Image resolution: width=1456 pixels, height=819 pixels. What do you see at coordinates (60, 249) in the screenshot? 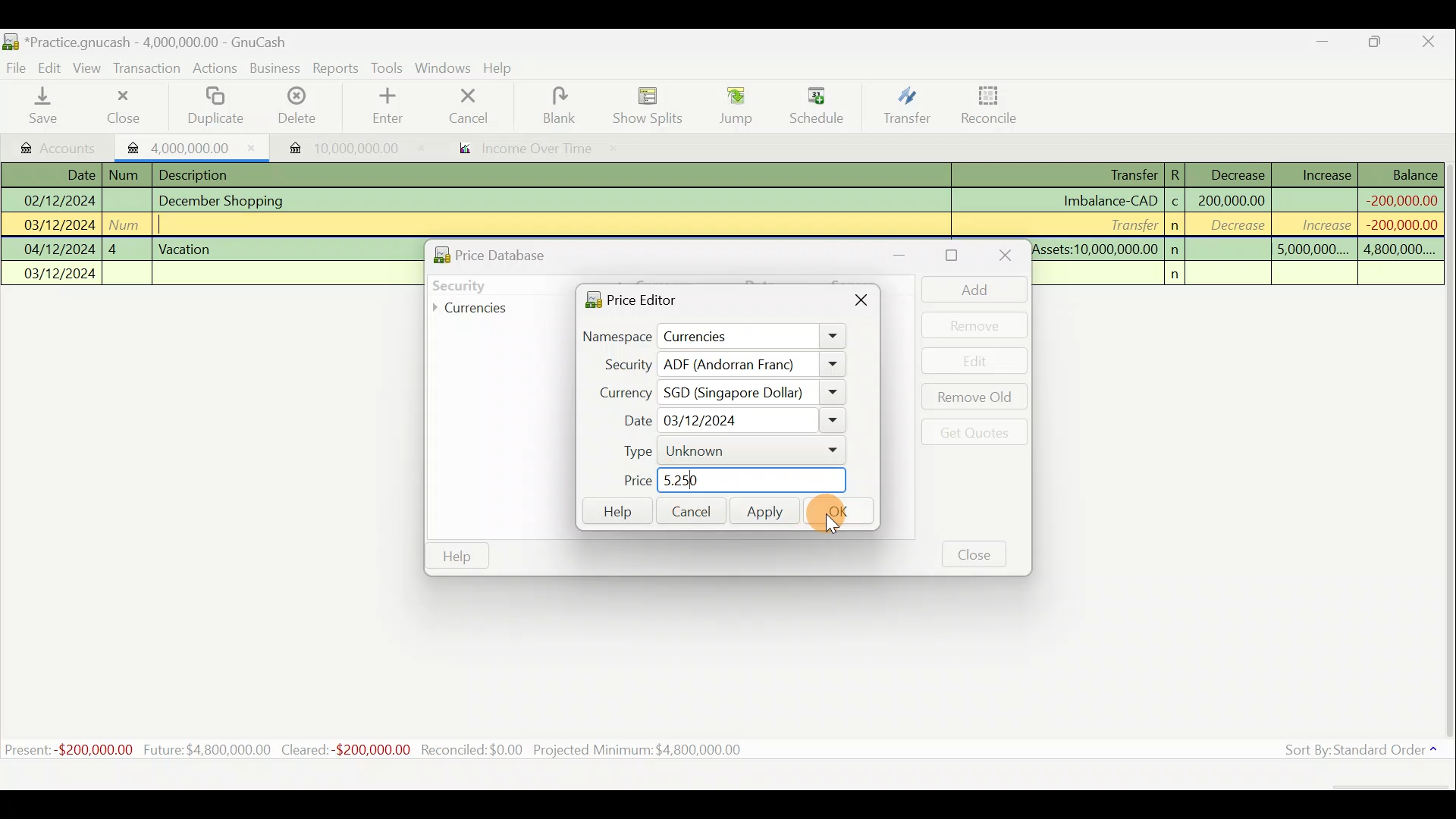
I see `04/12/2024` at bounding box center [60, 249].